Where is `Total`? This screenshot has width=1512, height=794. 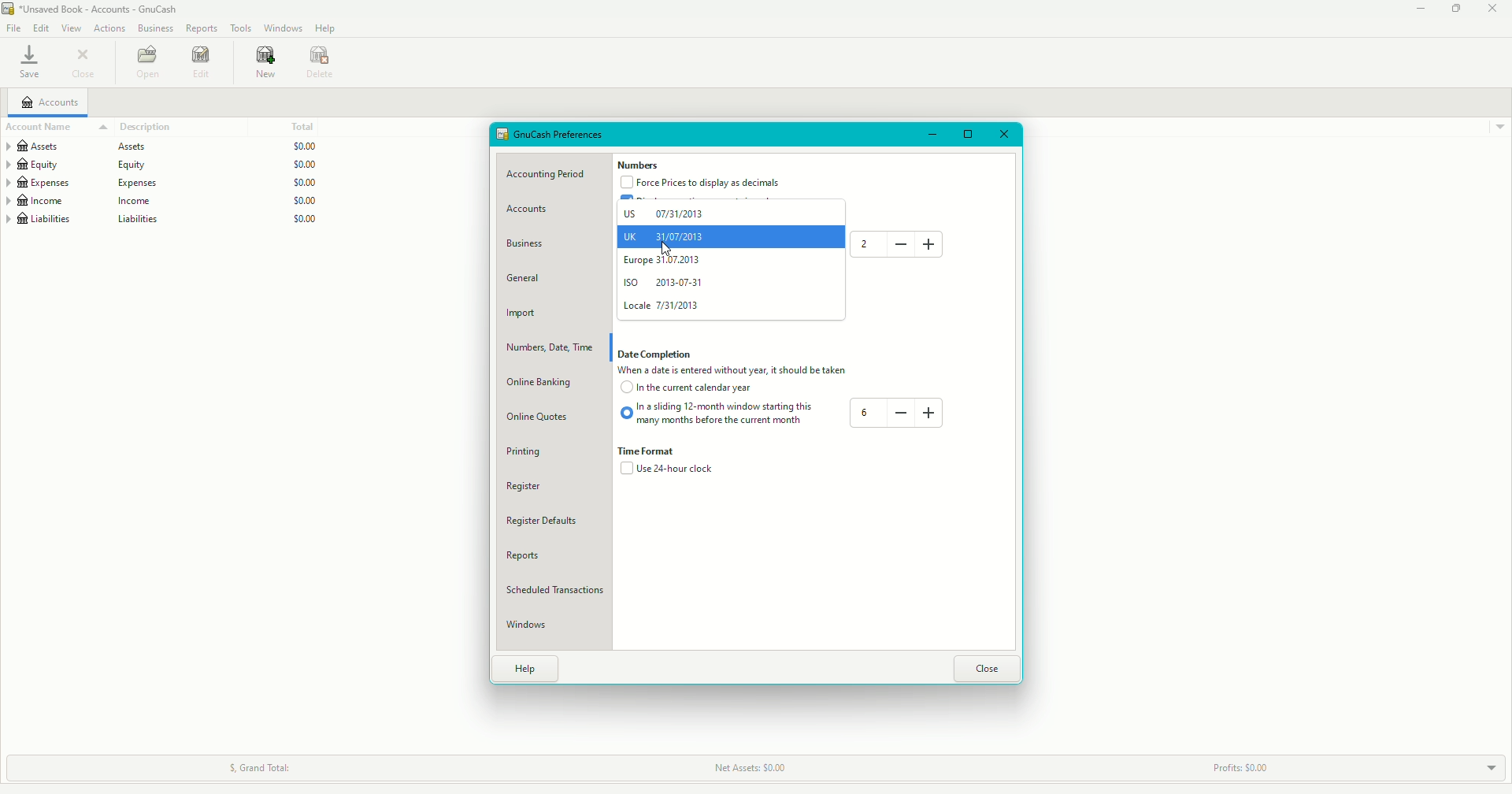
Total is located at coordinates (308, 128).